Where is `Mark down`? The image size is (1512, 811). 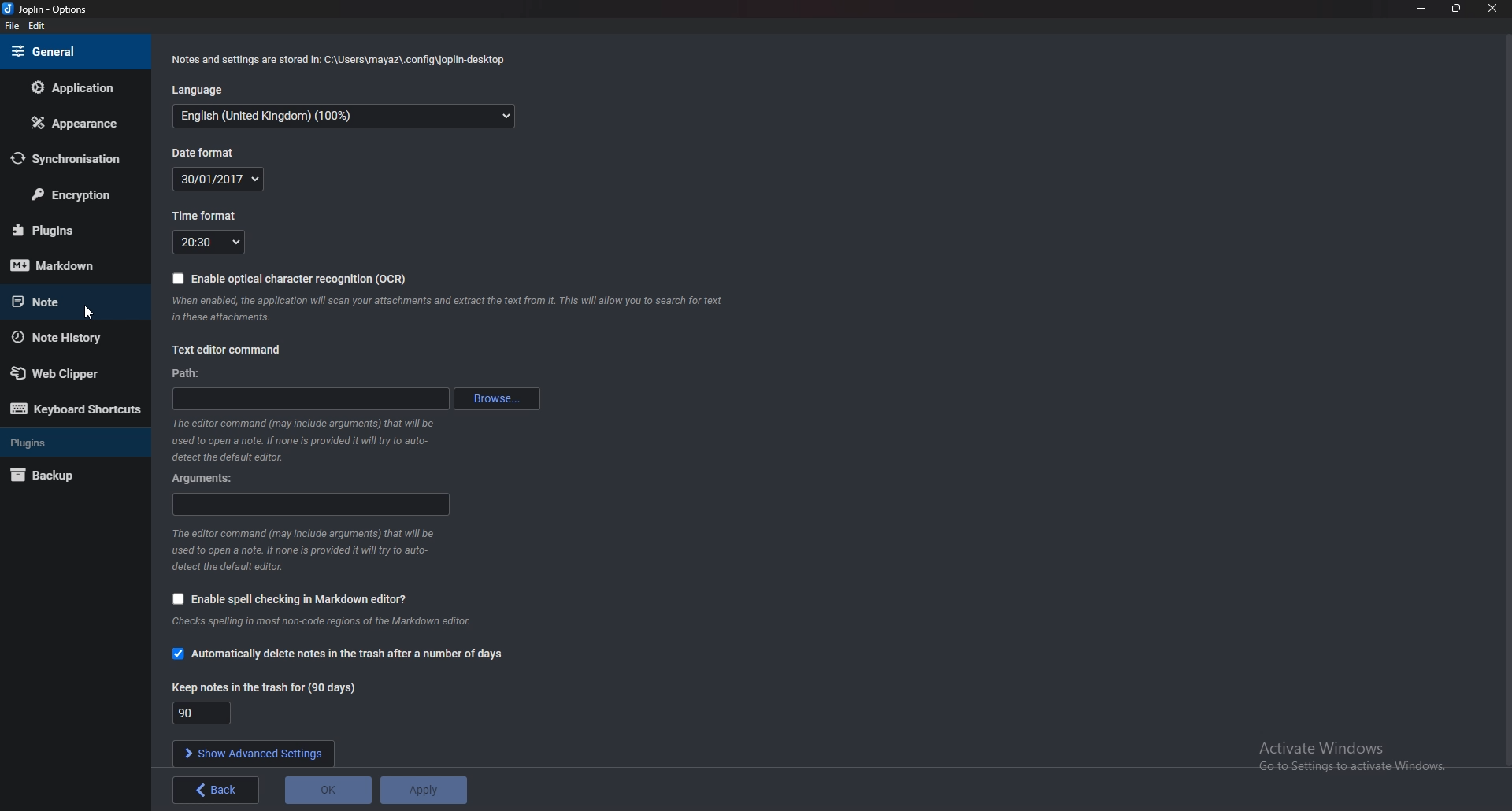
Mark down is located at coordinates (66, 266).